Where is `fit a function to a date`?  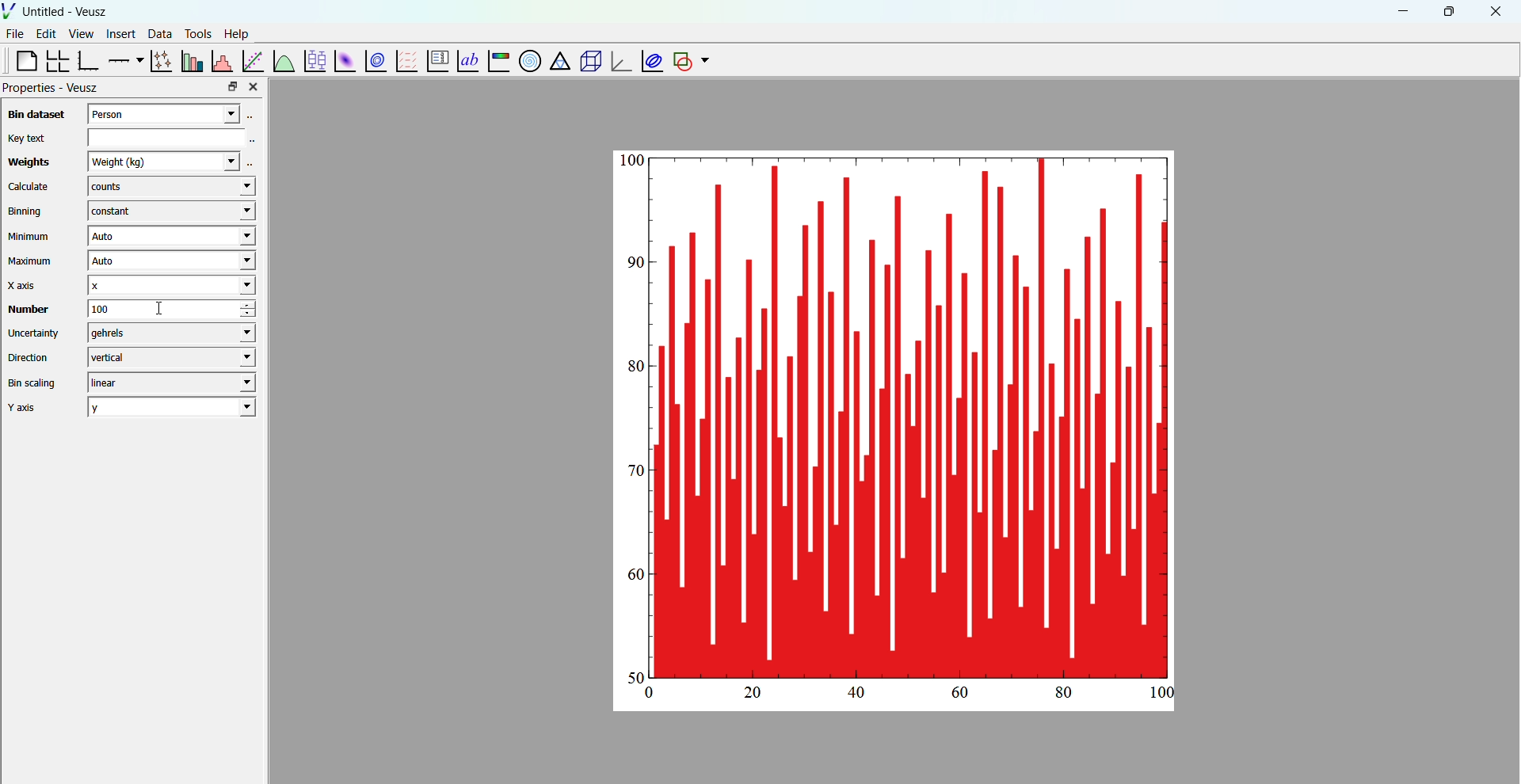
fit a function to a date is located at coordinates (253, 60).